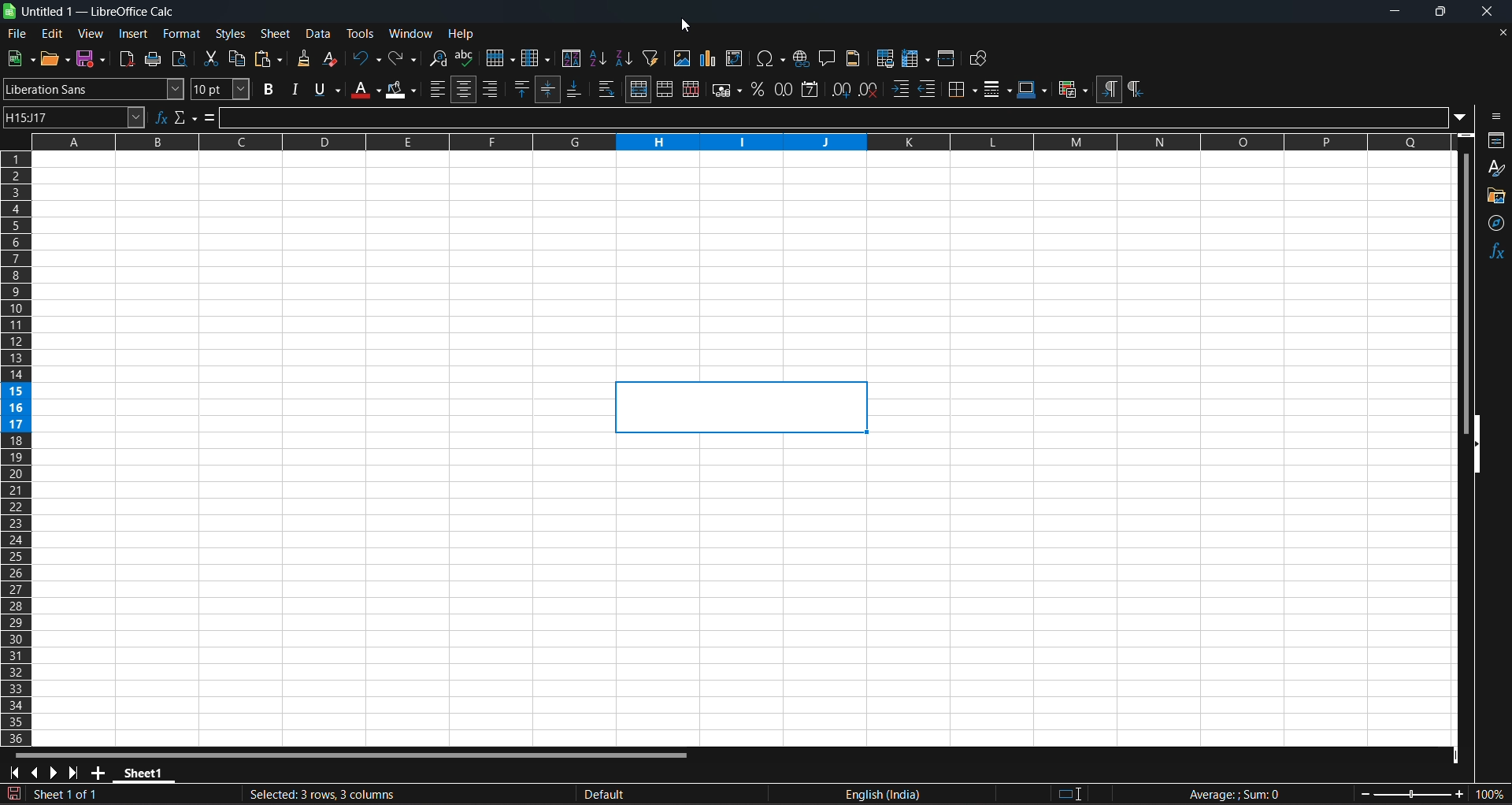 The height and width of the screenshot is (805, 1512). What do you see at coordinates (974, 794) in the screenshot?
I see `text language` at bounding box center [974, 794].